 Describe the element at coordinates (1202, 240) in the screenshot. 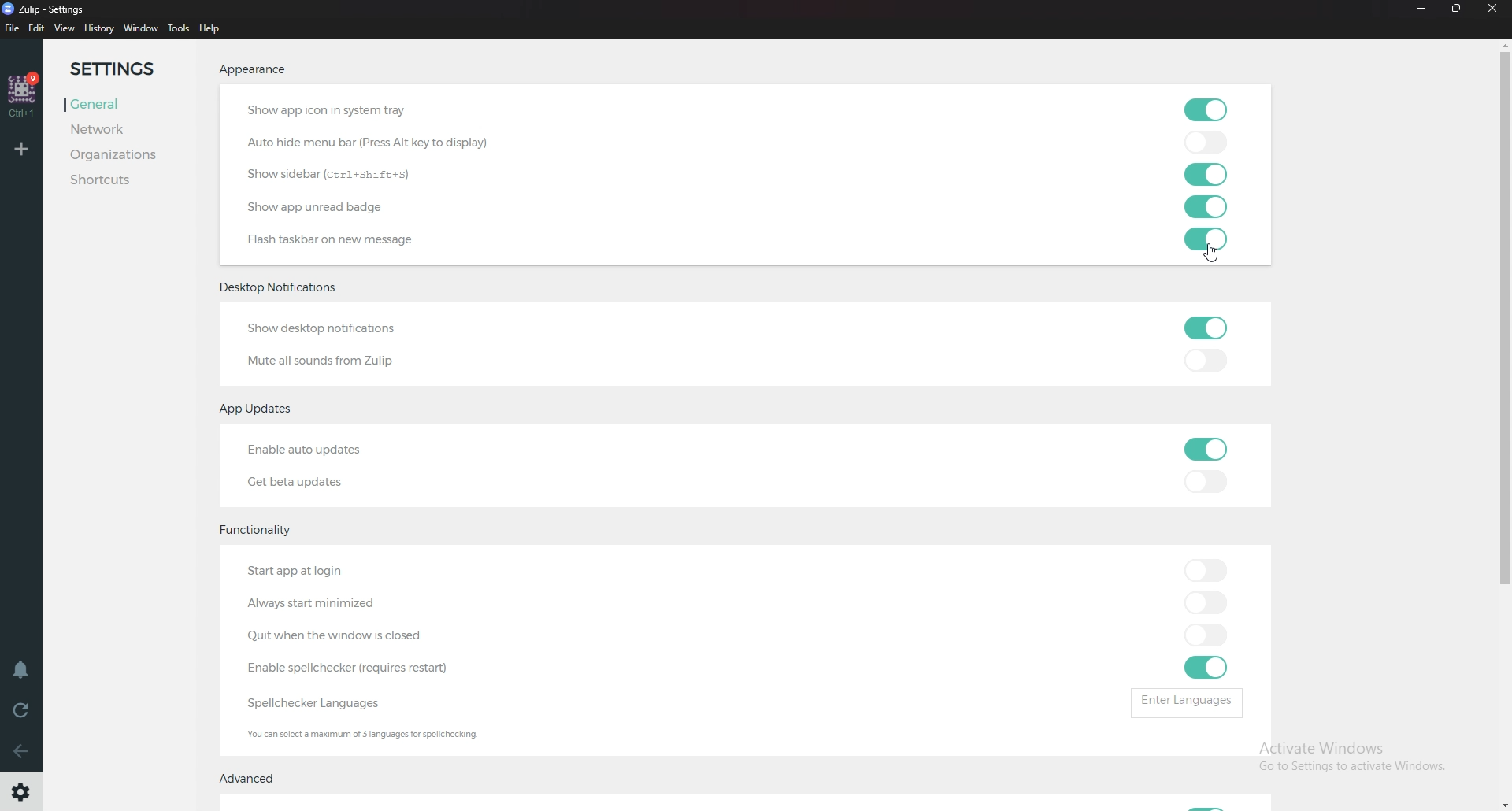

I see `toggle` at that location.